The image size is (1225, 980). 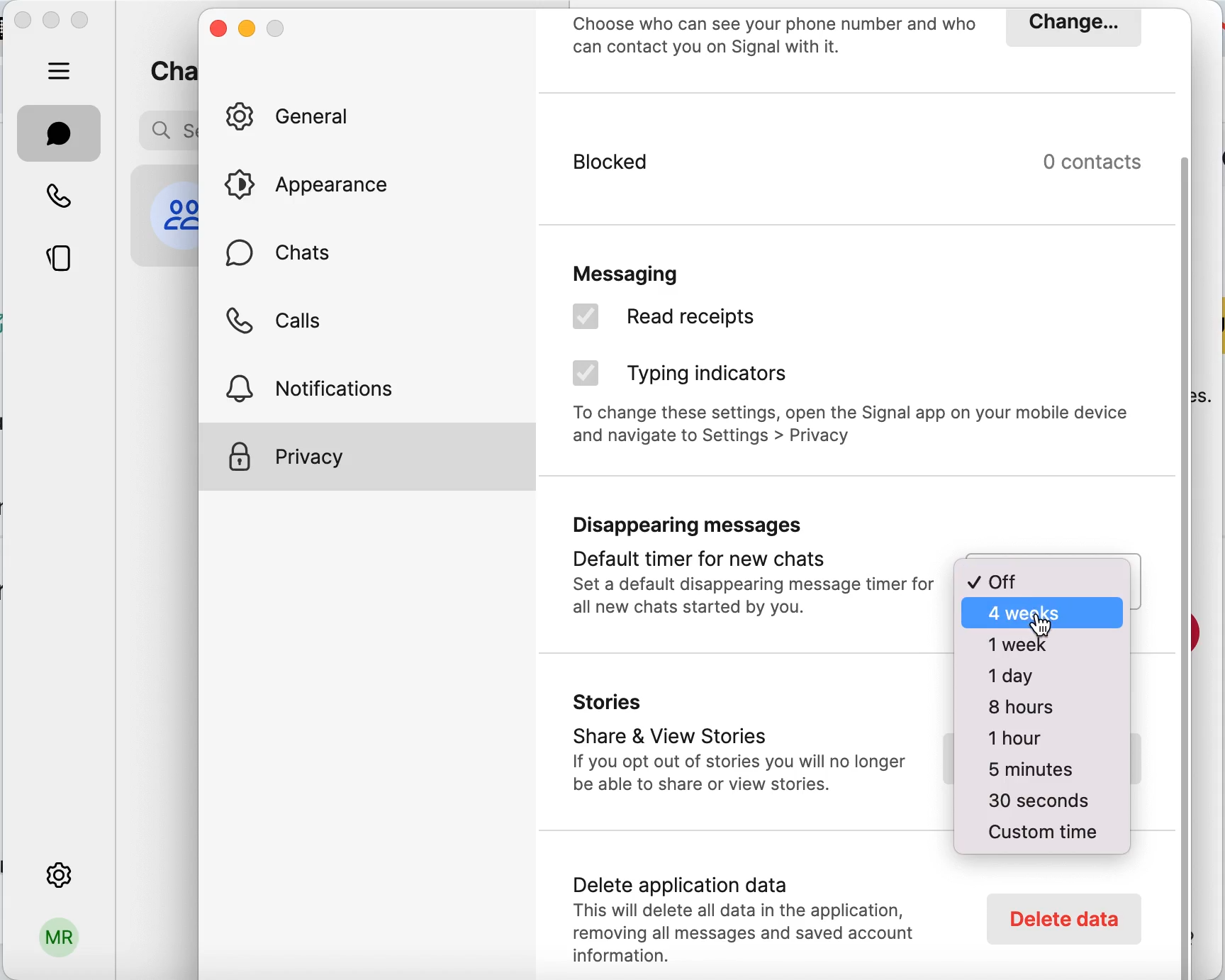 What do you see at coordinates (743, 174) in the screenshot?
I see `blocked` at bounding box center [743, 174].